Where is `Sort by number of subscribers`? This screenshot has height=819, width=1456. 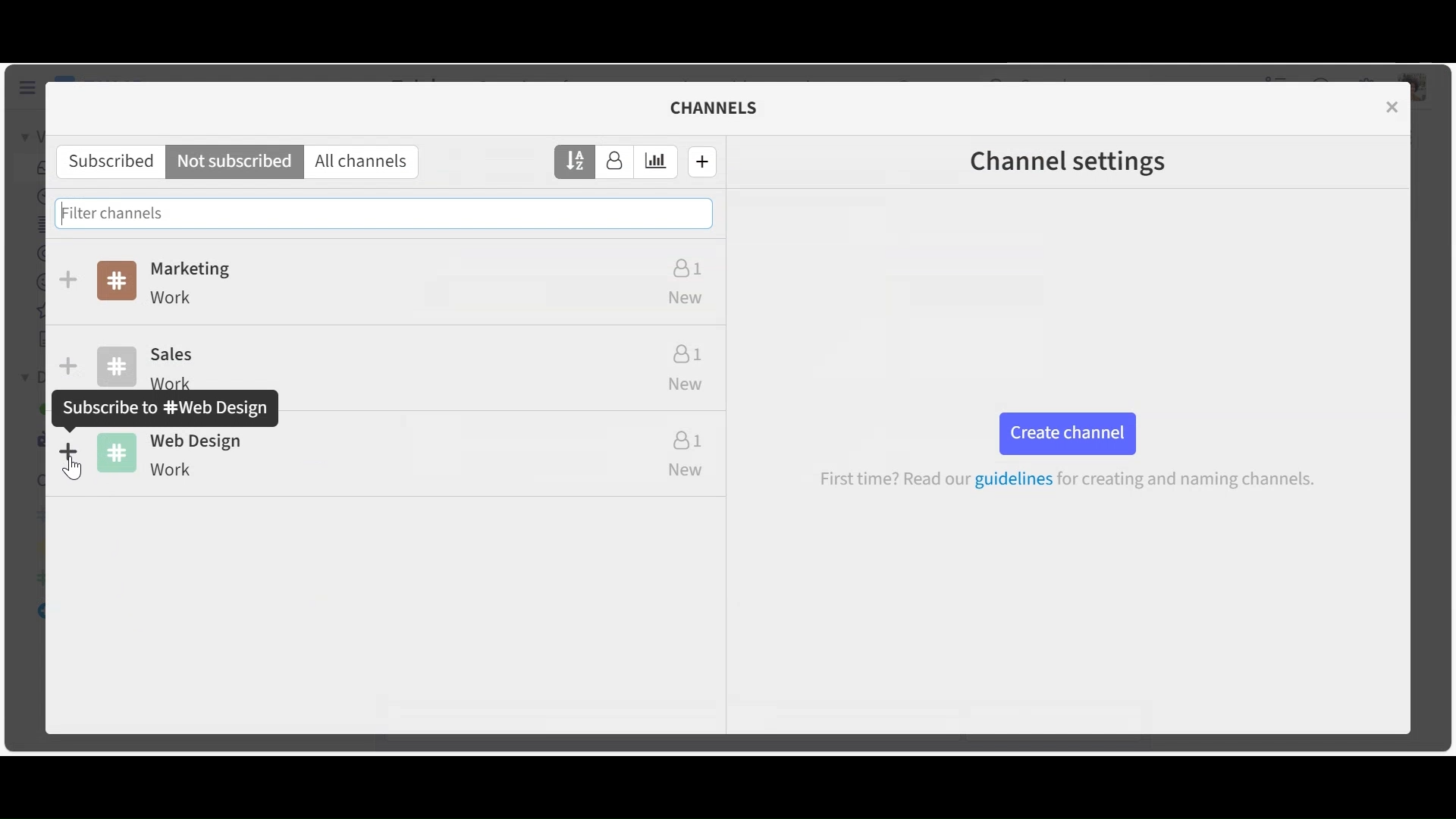
Sort by number of subscribers is located at coordinates (613, 162).